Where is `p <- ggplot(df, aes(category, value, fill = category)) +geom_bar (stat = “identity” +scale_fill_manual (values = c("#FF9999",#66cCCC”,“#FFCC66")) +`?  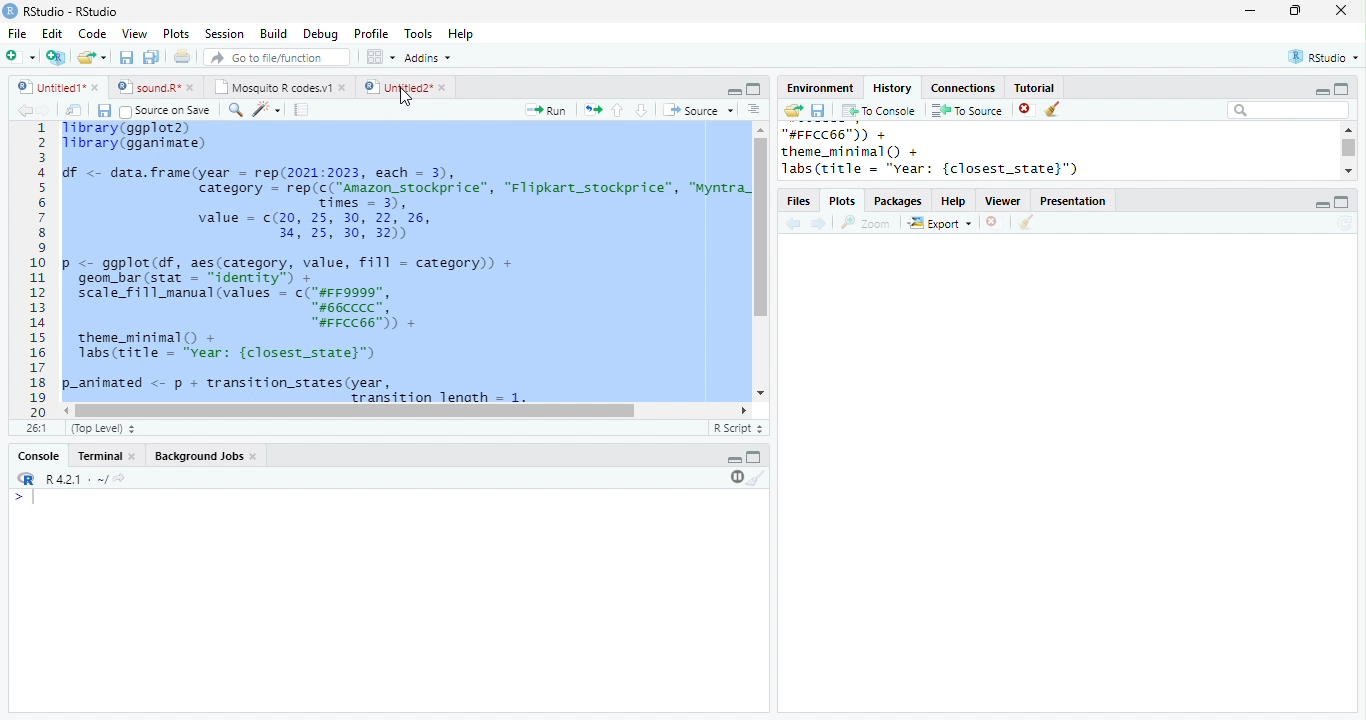
p <- ggplot(df, aes(category, value, fill = category)) +geom_bar (stat = “identity” +scale_fill_manual (values = c("#FF9999",#66cCCC”,“#FFCC66")) + is located at coordinates (291, 292).